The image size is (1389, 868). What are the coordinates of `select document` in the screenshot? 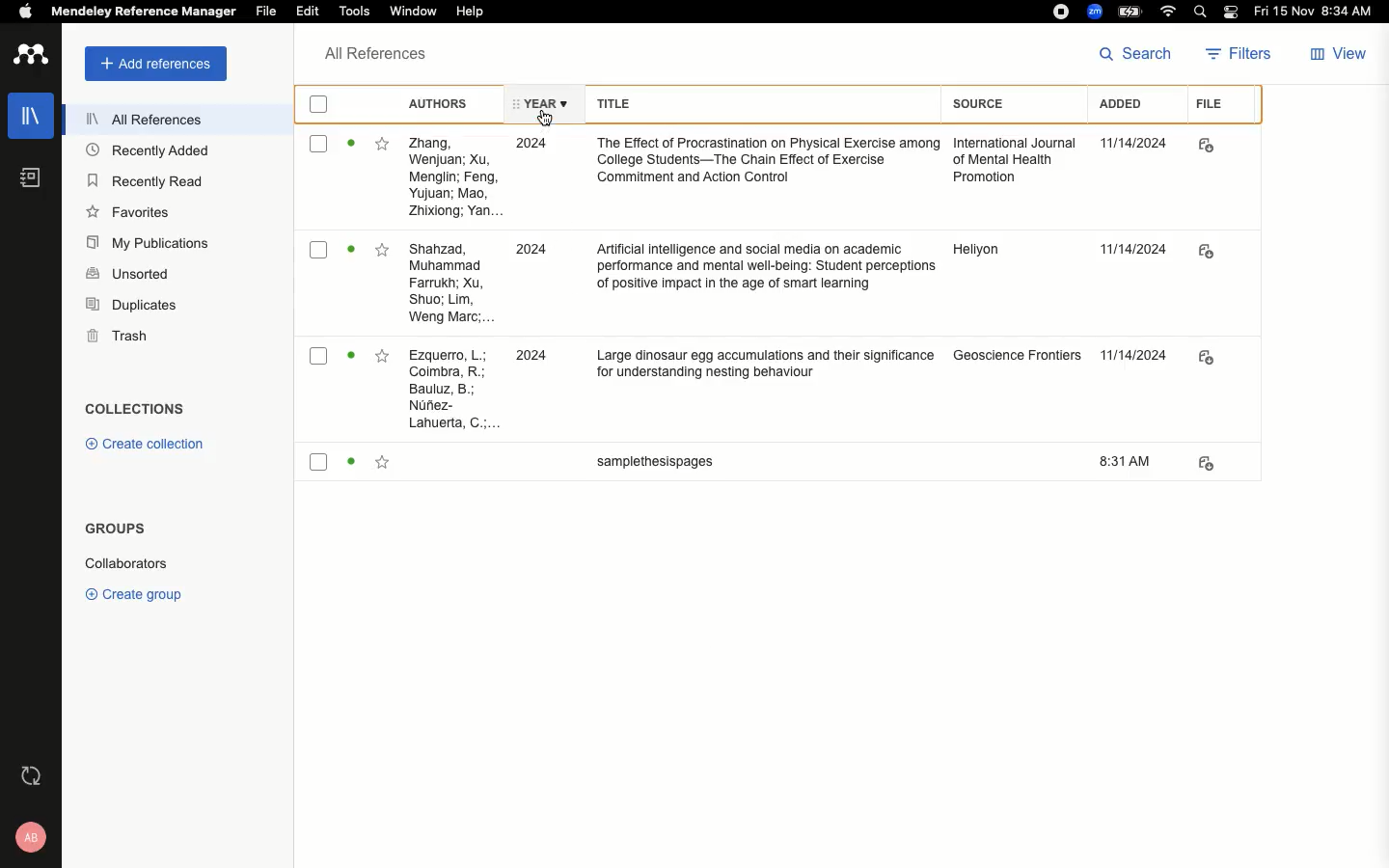 It's located at (319, 360).